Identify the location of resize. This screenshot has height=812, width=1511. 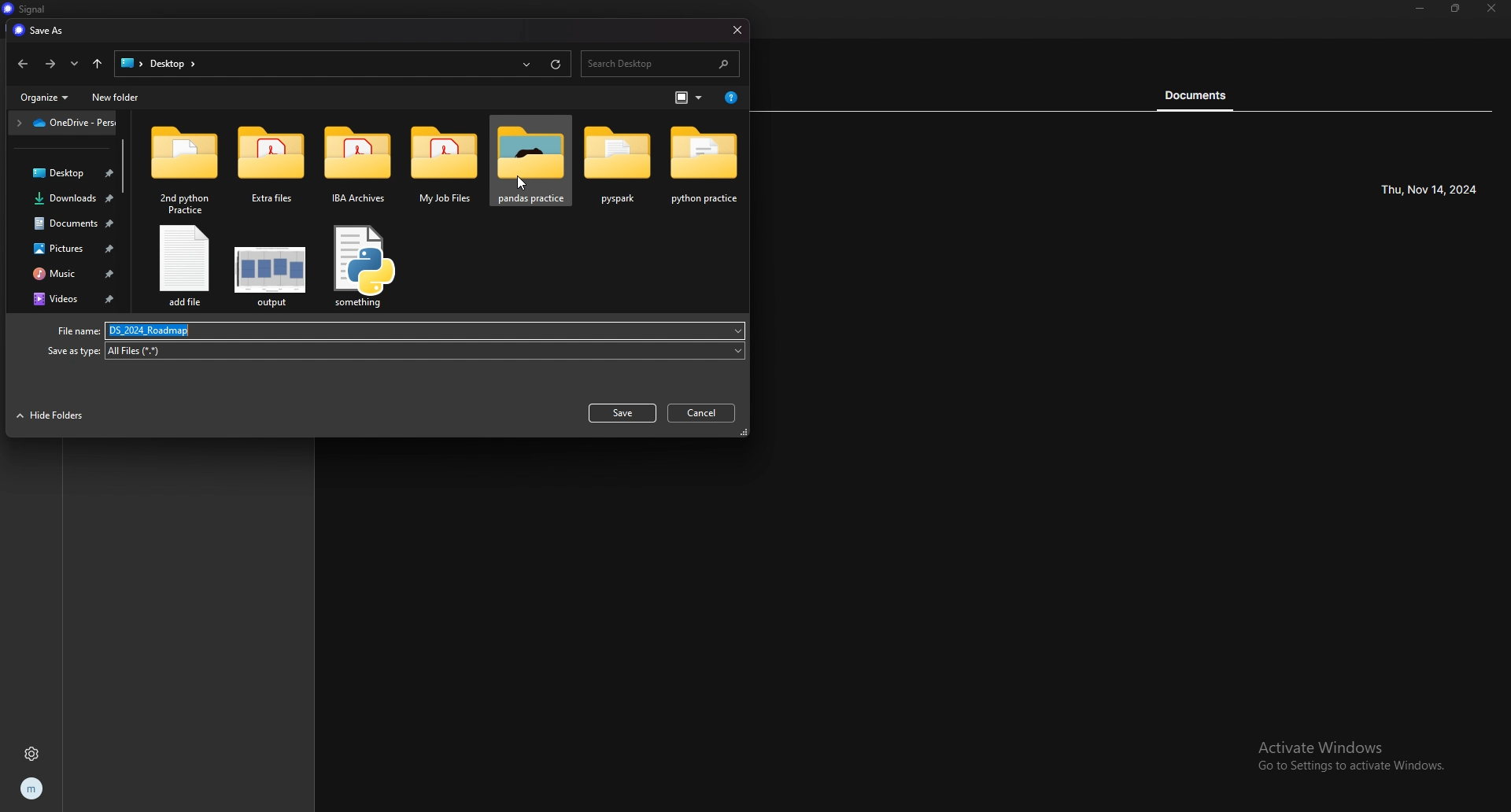
(1457, 8).